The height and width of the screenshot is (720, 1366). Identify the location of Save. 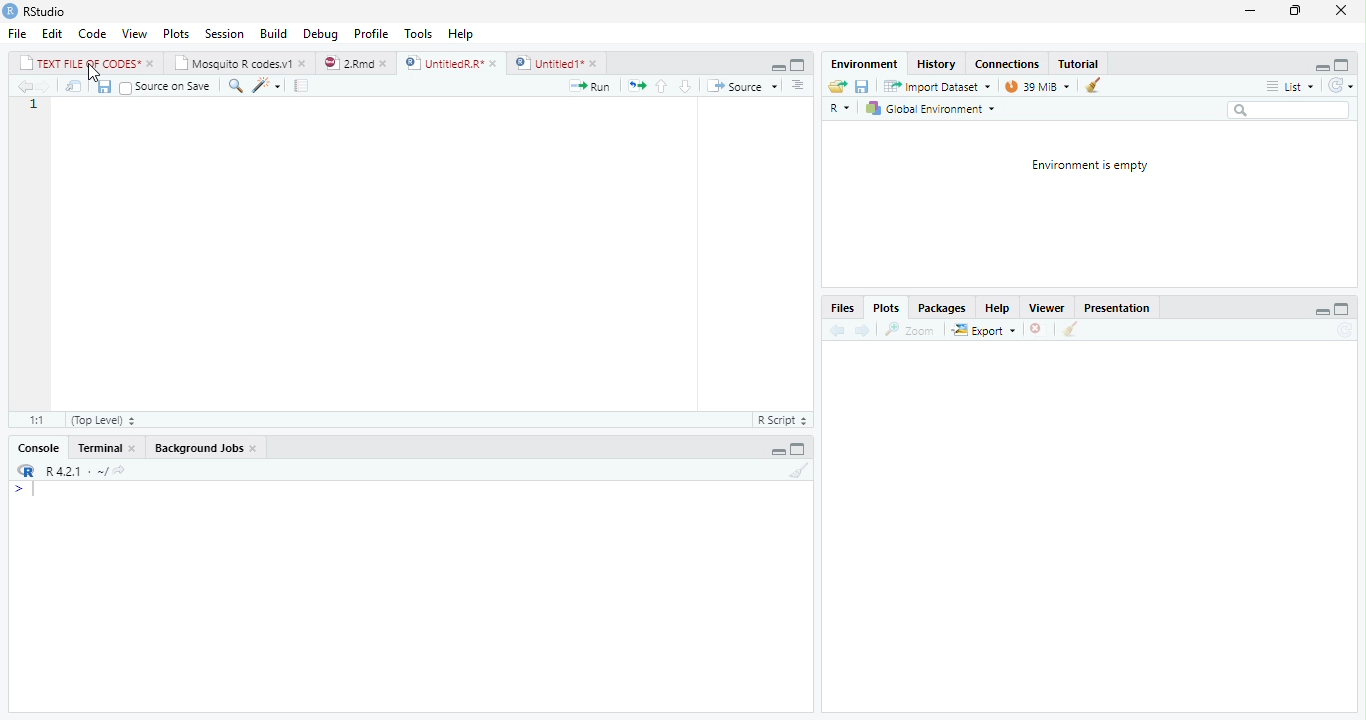
(863, 85).